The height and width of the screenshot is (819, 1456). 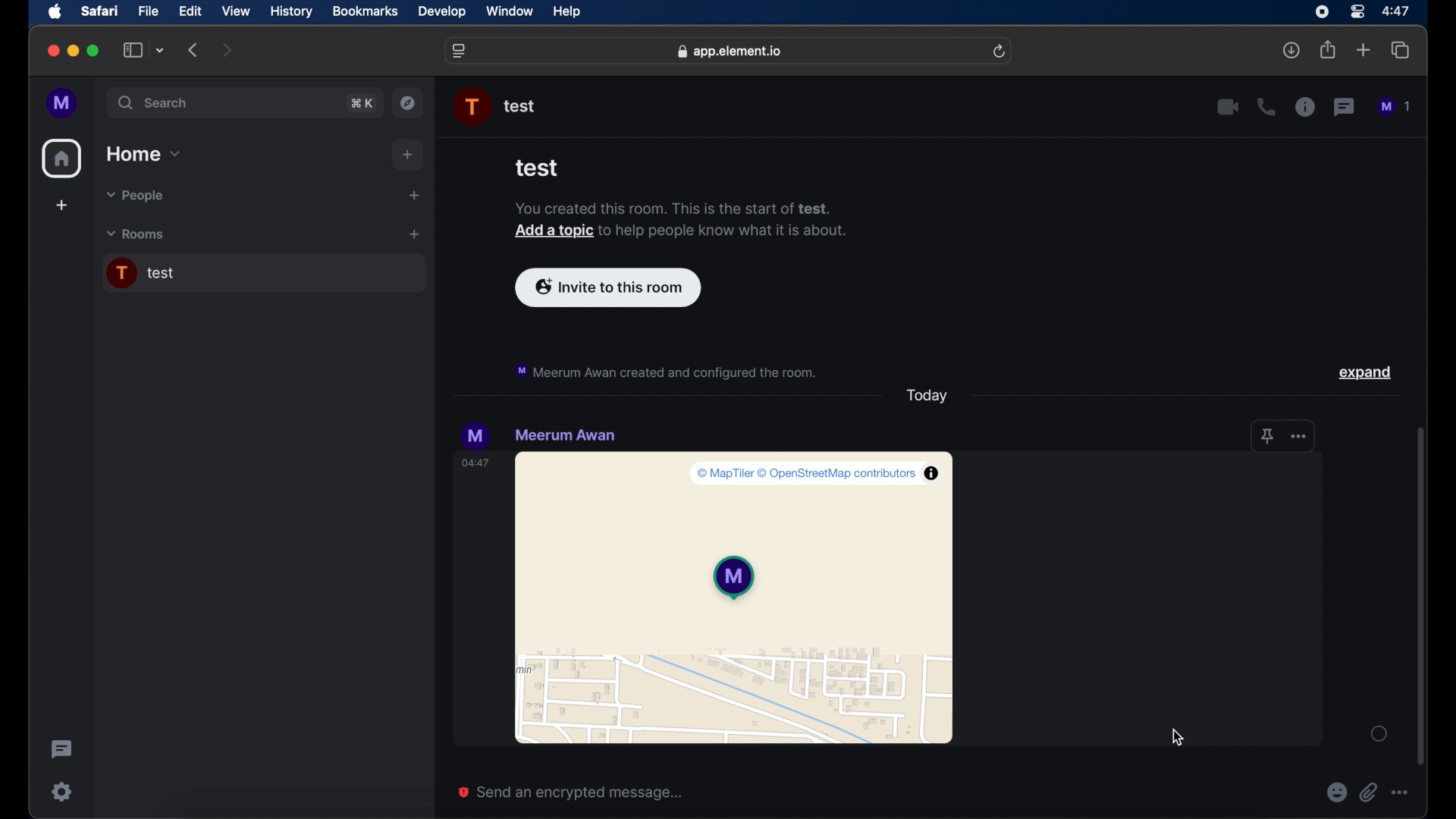 What do you see at coordinates (1371, 792) in the screenshot?
I see `Attach files` at bounding box center [1371, 792].